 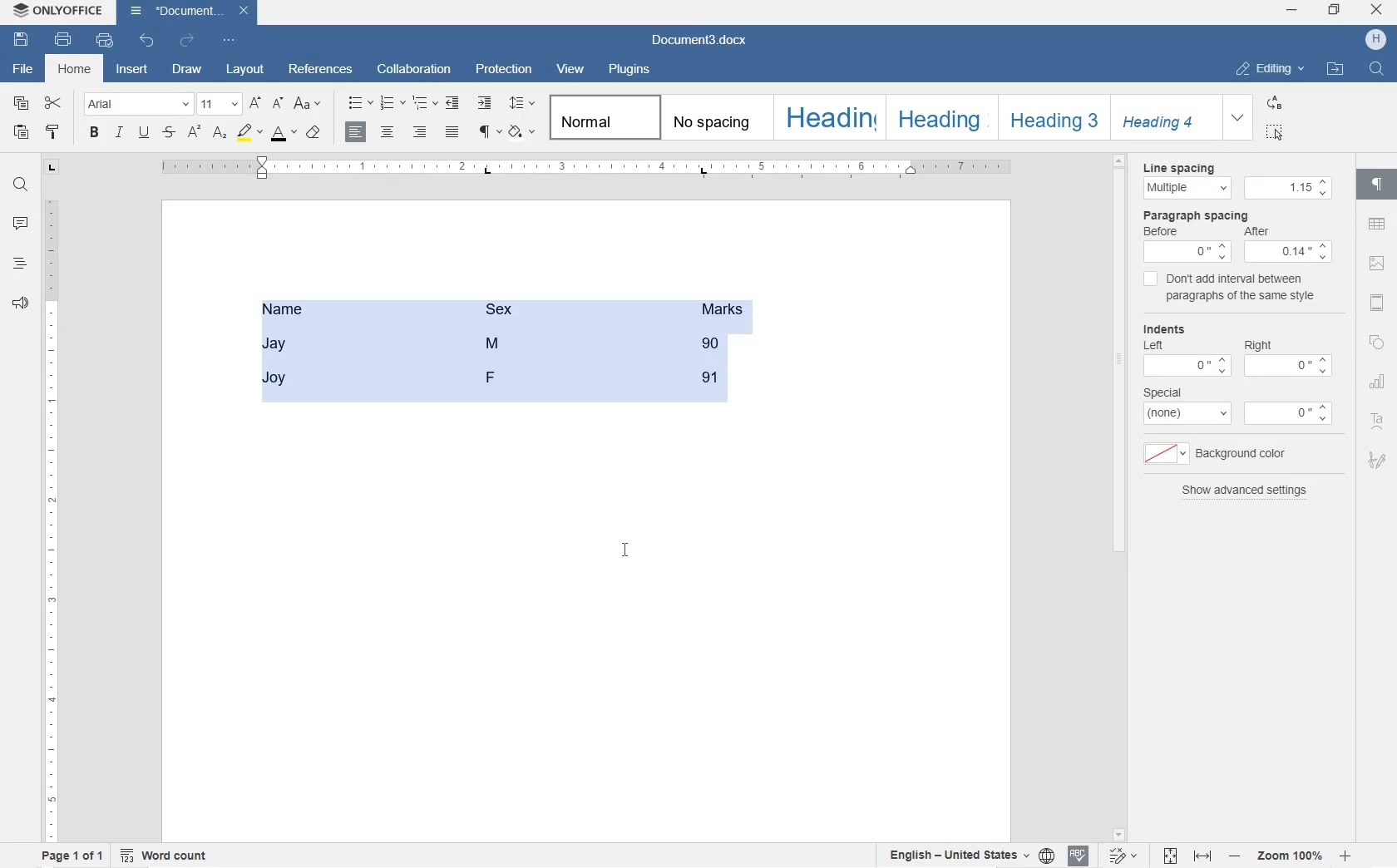 What do you see at coordinates (1335, 10) in the screenshot?
I see `RESTORE` at bounding box center [1335, 10].